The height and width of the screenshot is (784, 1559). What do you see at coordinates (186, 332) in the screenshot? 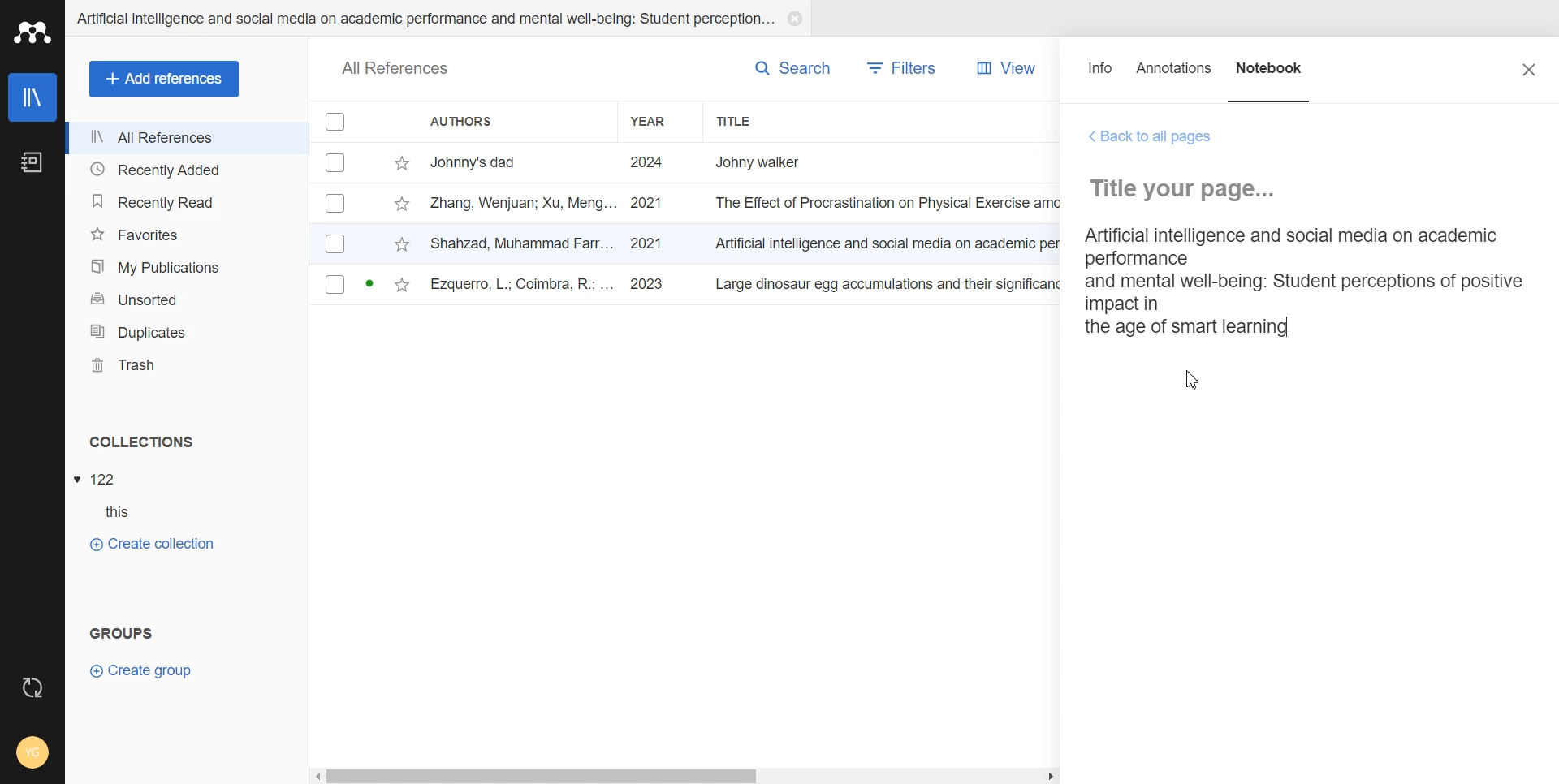
I see `Duplicates` at bounding box center [186, 332].